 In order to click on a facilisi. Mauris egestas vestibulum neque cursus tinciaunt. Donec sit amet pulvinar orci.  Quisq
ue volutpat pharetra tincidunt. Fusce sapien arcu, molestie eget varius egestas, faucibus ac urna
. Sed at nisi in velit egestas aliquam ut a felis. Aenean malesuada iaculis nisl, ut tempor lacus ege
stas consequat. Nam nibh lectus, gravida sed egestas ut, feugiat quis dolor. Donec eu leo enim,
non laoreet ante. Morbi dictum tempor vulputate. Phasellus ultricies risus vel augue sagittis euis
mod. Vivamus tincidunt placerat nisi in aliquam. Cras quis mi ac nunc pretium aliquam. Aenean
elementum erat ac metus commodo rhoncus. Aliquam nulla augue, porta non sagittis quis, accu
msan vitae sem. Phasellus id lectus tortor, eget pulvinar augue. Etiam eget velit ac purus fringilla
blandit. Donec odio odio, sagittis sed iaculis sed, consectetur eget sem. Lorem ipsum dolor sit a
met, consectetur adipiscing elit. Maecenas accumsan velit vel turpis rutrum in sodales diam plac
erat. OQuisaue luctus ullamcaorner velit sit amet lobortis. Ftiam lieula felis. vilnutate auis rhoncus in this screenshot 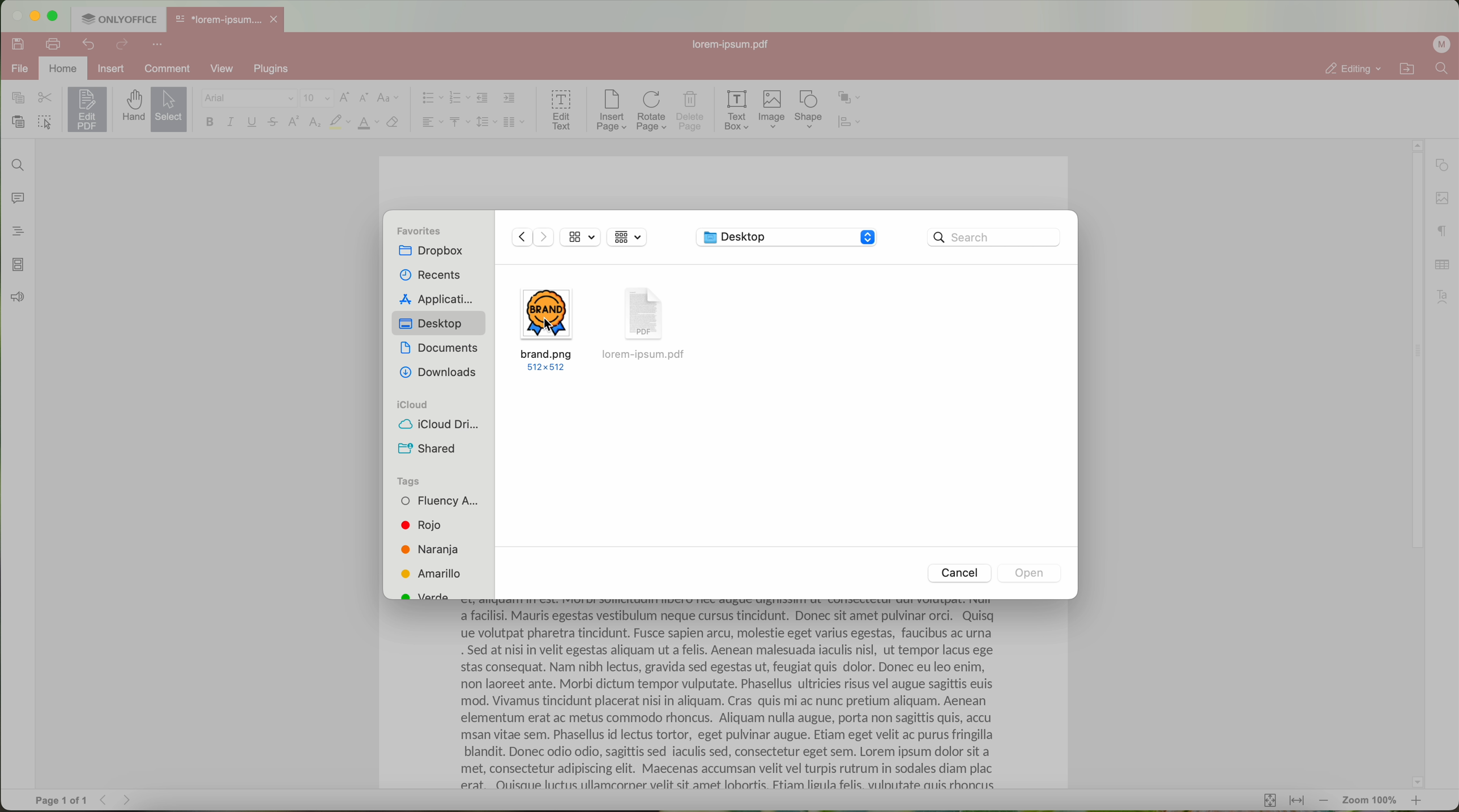, I will do `click(735, 702)`.